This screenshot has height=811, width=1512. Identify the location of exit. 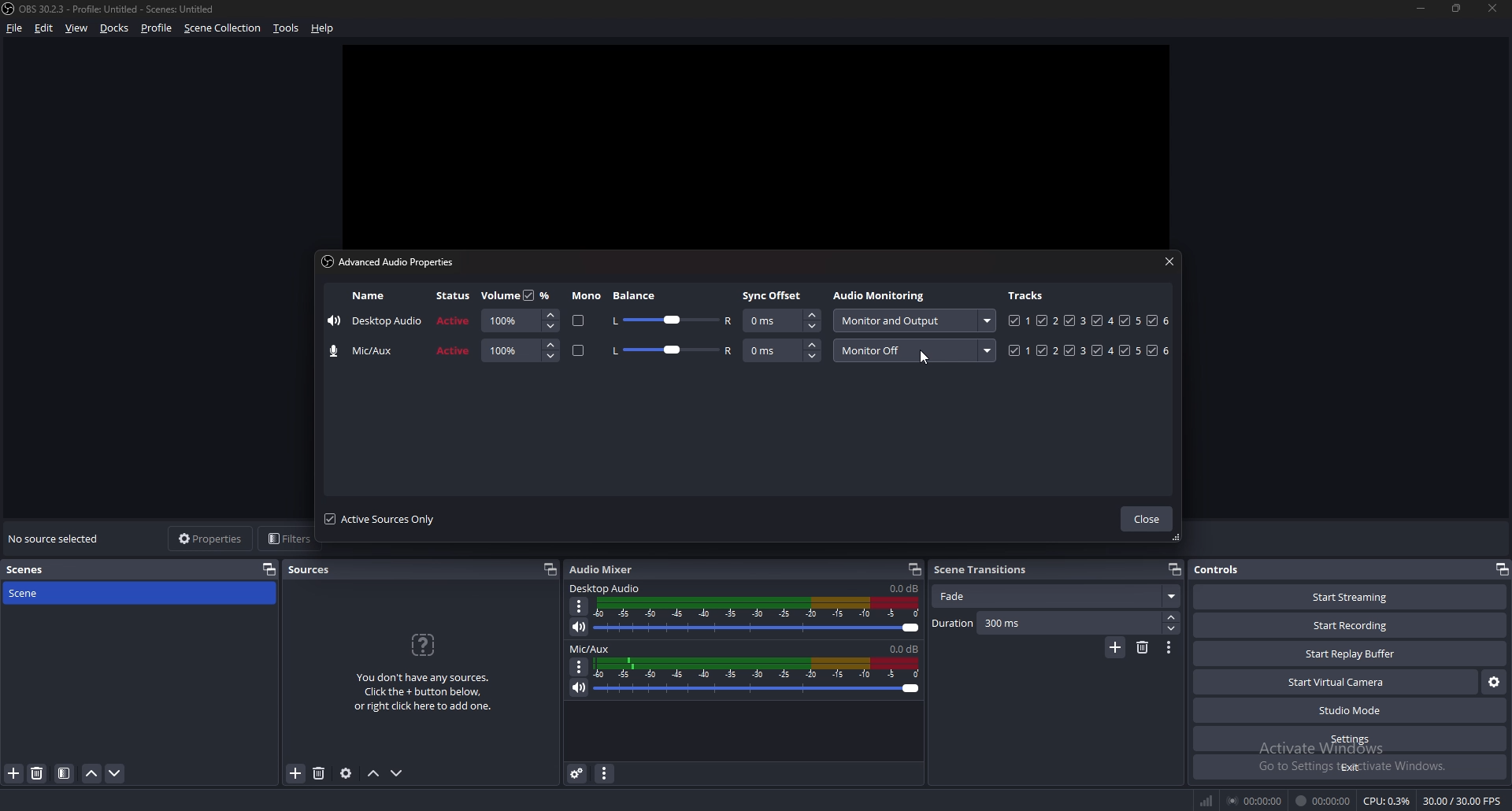
(1348, 767).